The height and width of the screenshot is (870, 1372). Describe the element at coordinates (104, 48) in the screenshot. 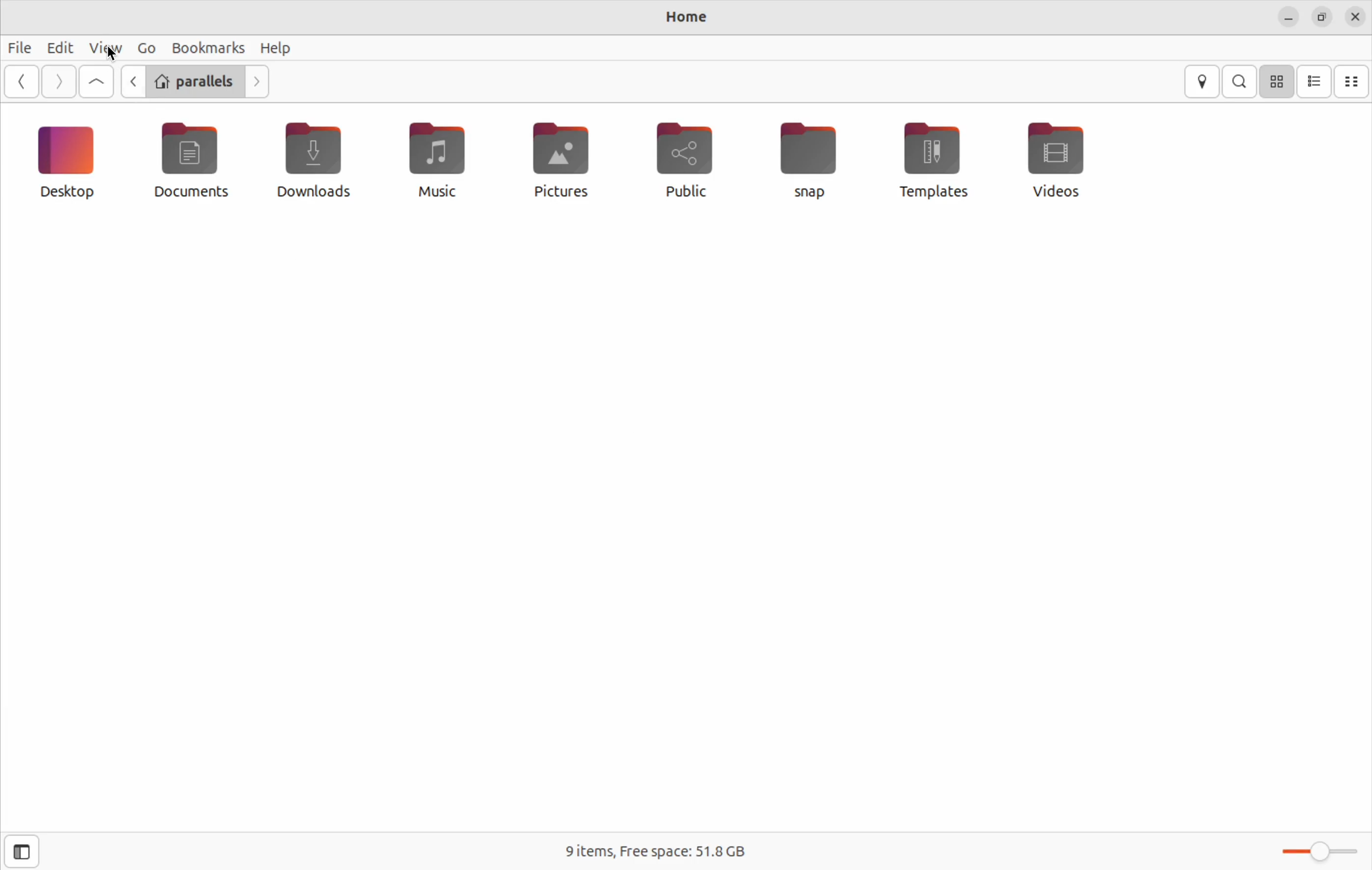

I see `view` at that location.